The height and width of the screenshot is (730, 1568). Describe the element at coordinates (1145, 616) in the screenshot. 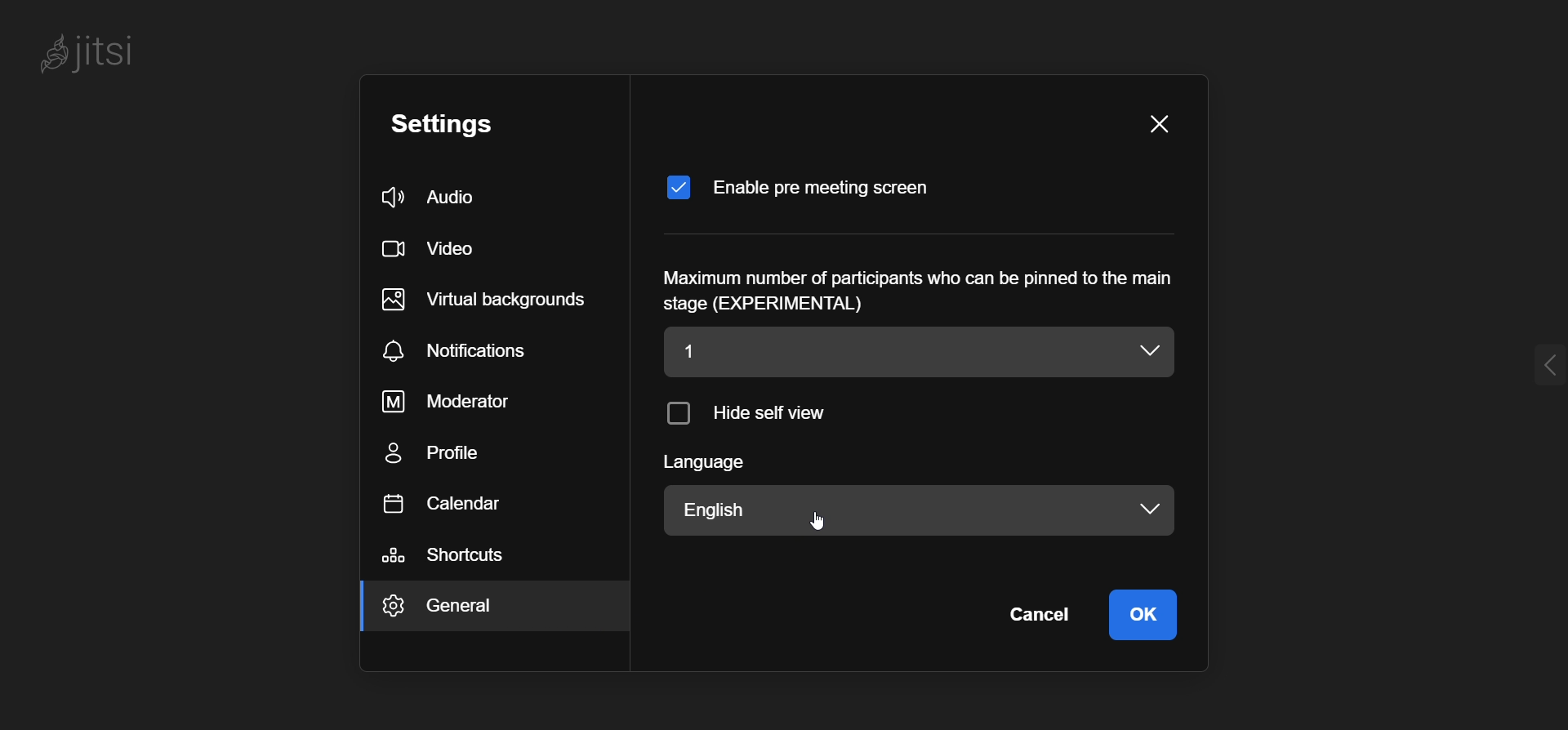

I see `Ok` at that location.